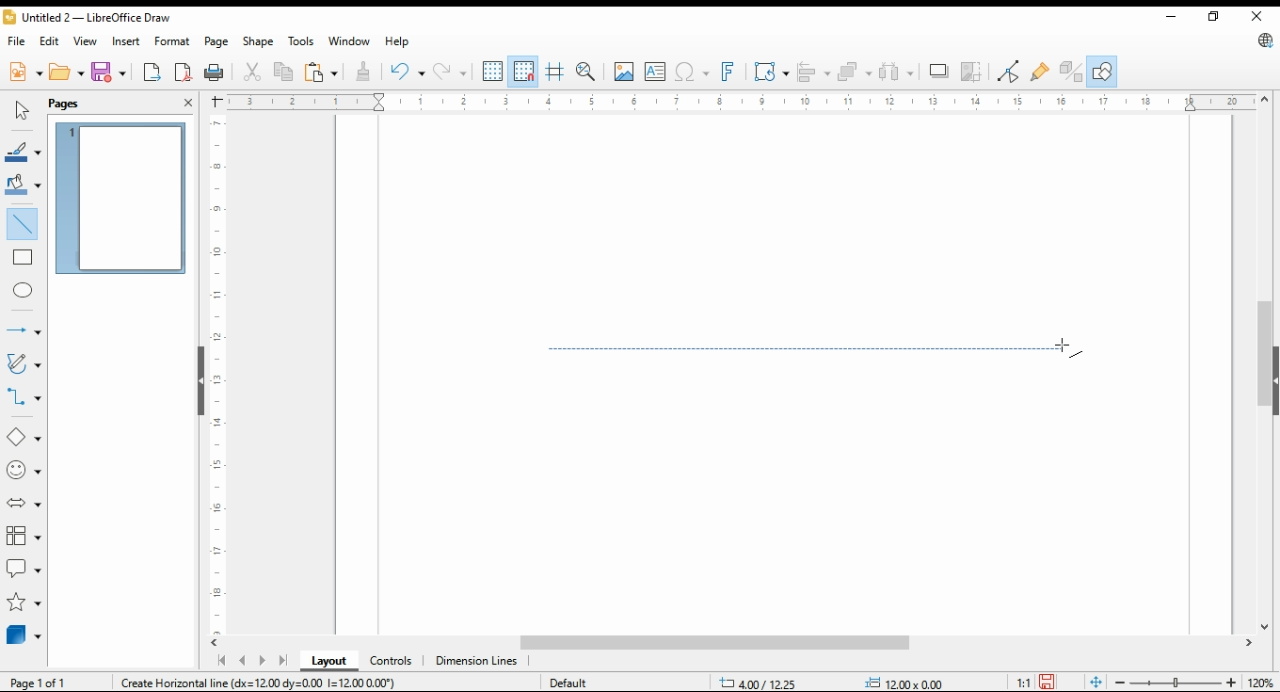 The image size is (1280, 692). What do you see at coordinates (492, 71) in the screenshot?
I see `show grids` at bounding box center [492, 71].